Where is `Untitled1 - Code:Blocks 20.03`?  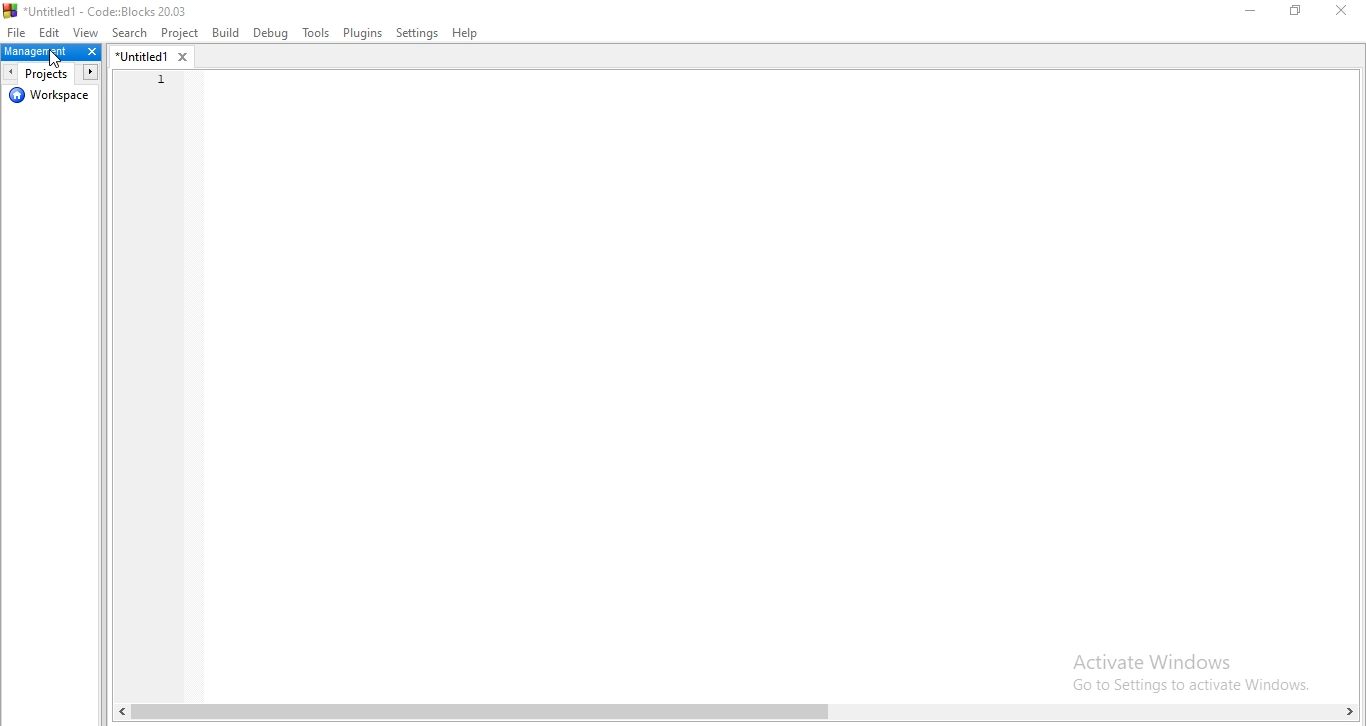
Untitled1 - Code:Blocks 20.03 is located at coordinates (100, 9).